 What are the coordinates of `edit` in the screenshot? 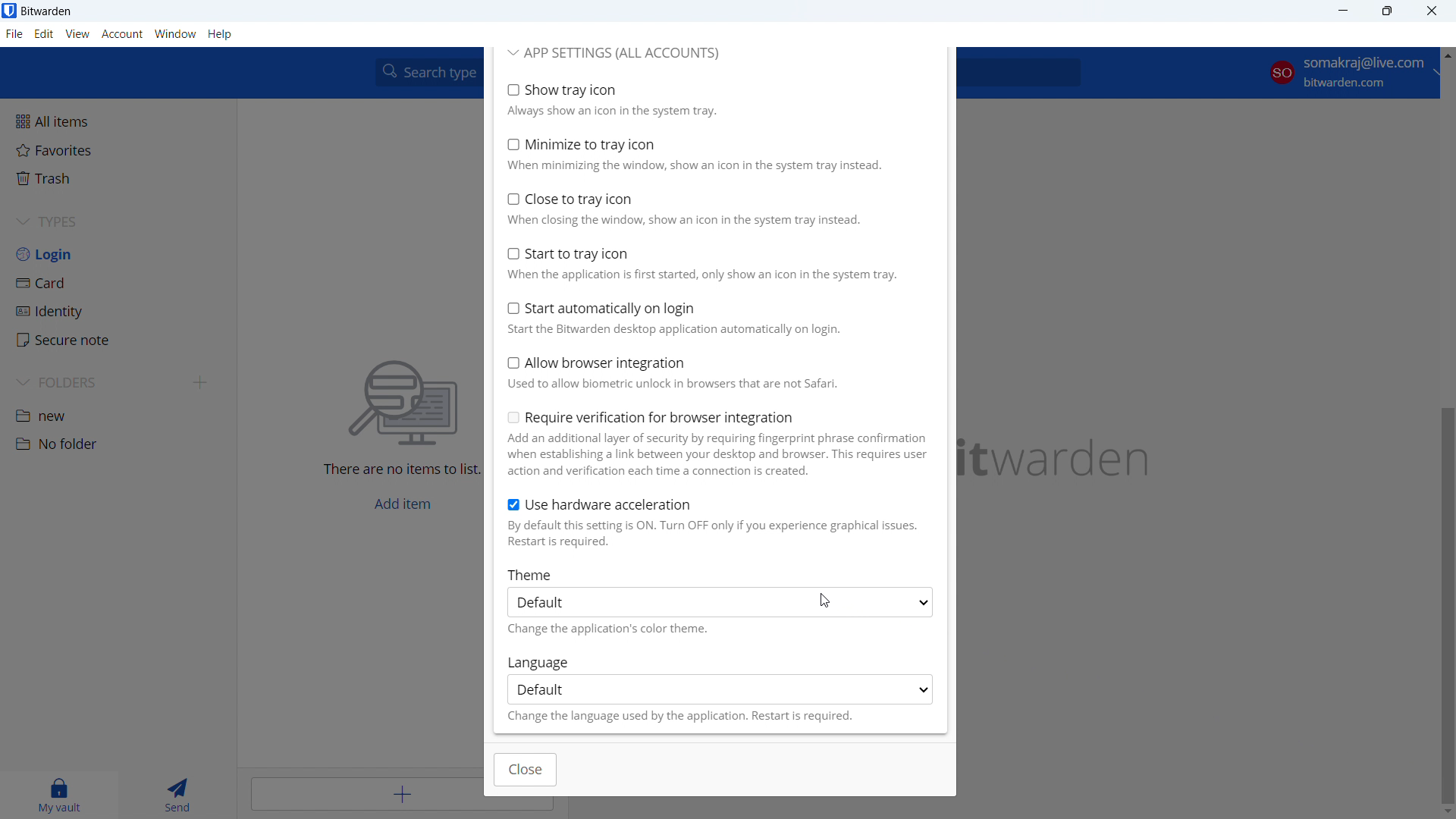 It's located at (45, 34).